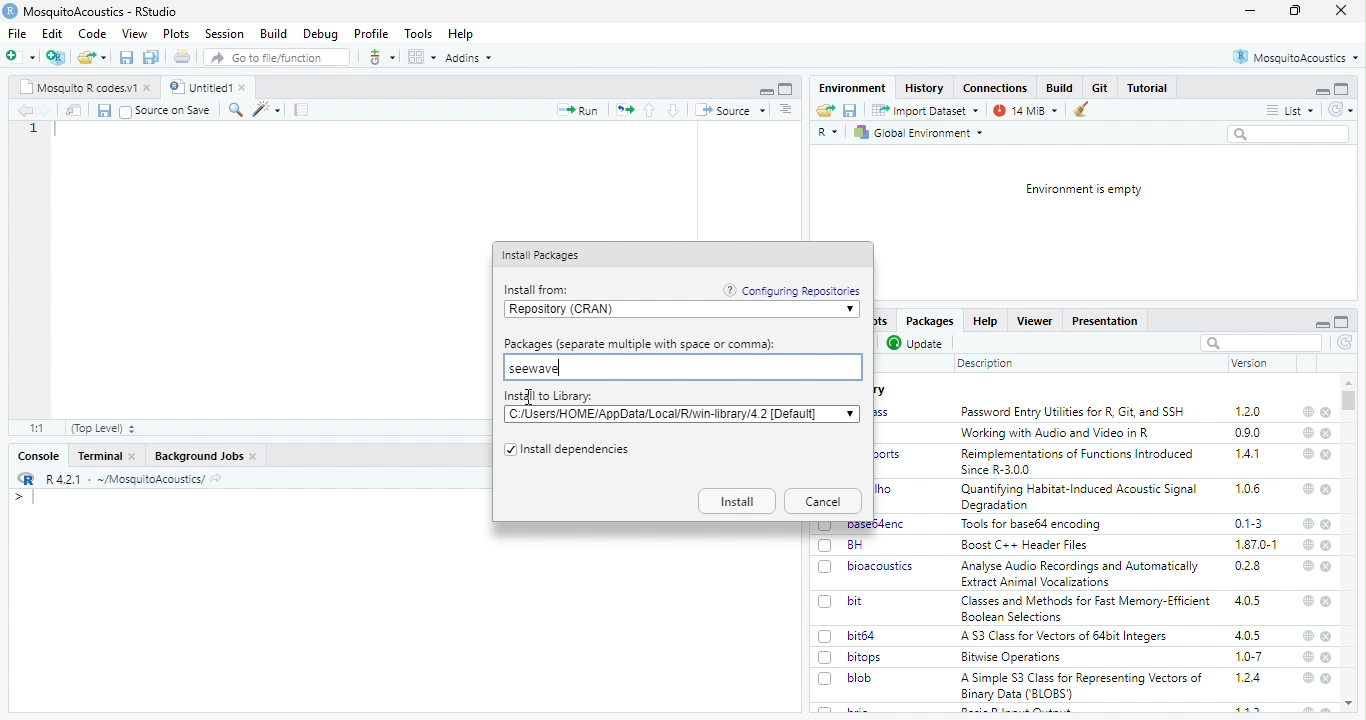 This screenshot has width=1366, height=720. Describe the element at coordinates (123, 479) in the screenshot. I see `R42.1 - ~/MosquitoAcoustics/` at that location.